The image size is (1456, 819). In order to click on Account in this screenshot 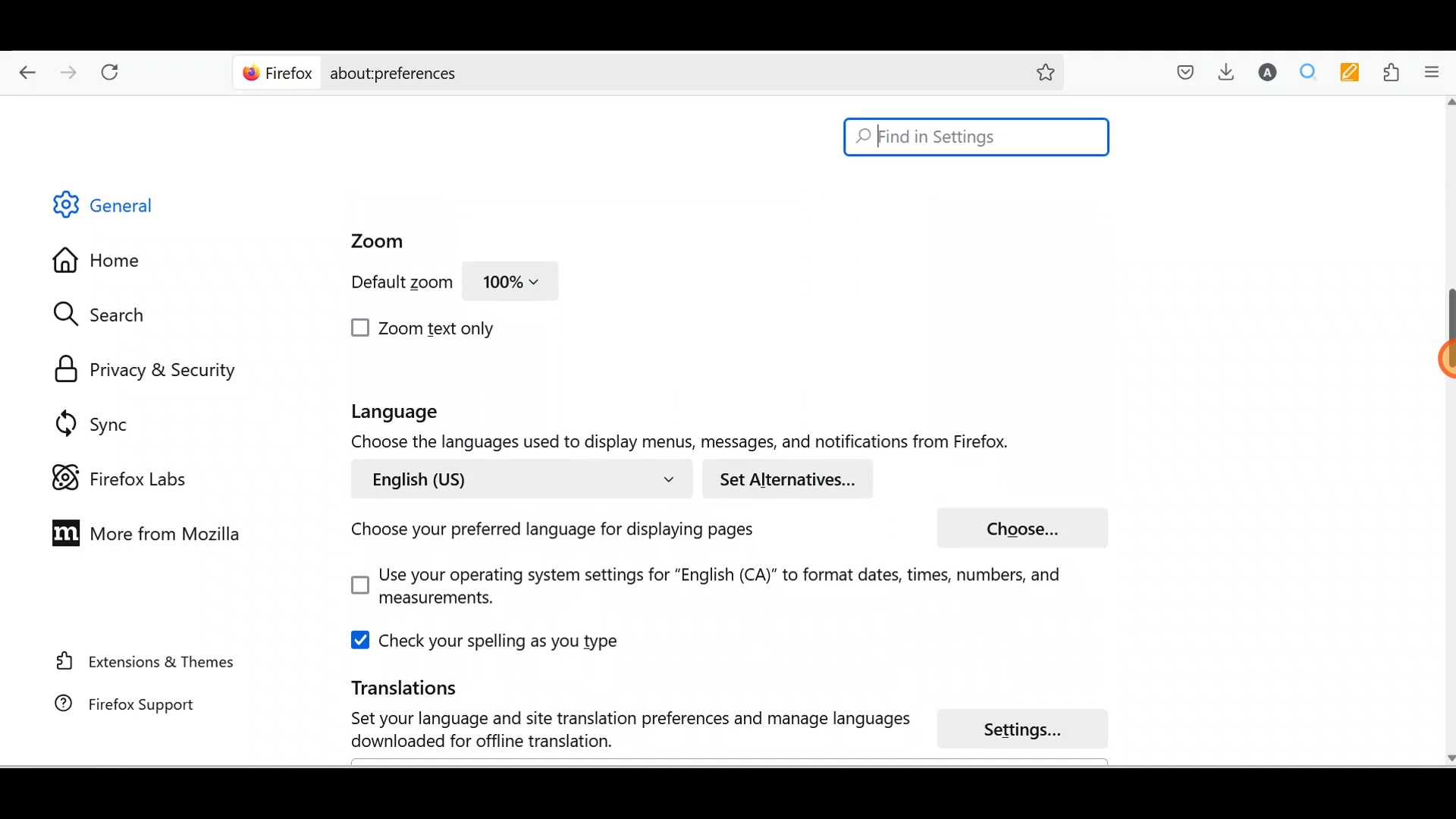, I will do `click(1264, 72)`.